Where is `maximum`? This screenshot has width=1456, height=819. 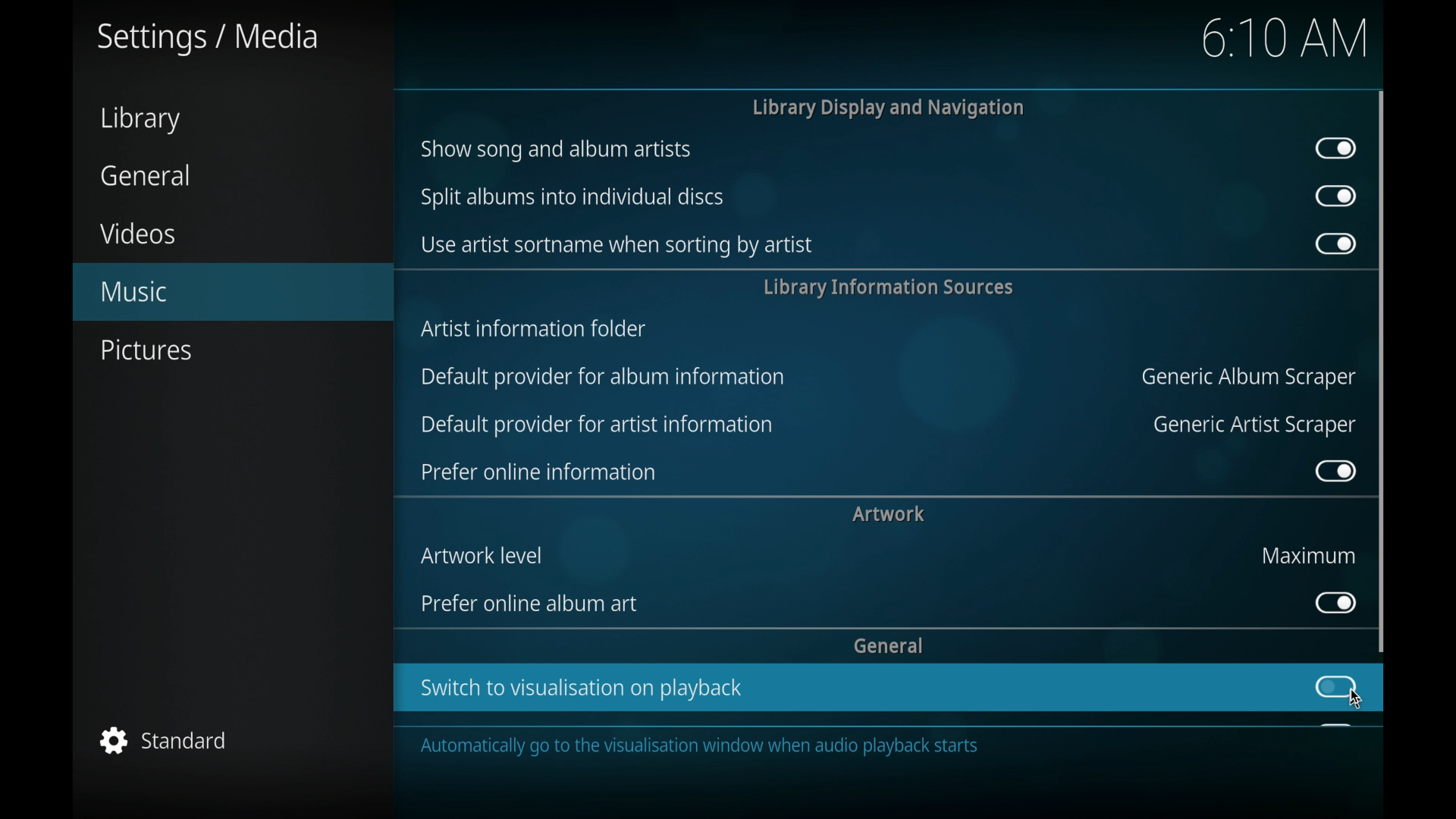
maximum is located at coordinates (1310, 555).